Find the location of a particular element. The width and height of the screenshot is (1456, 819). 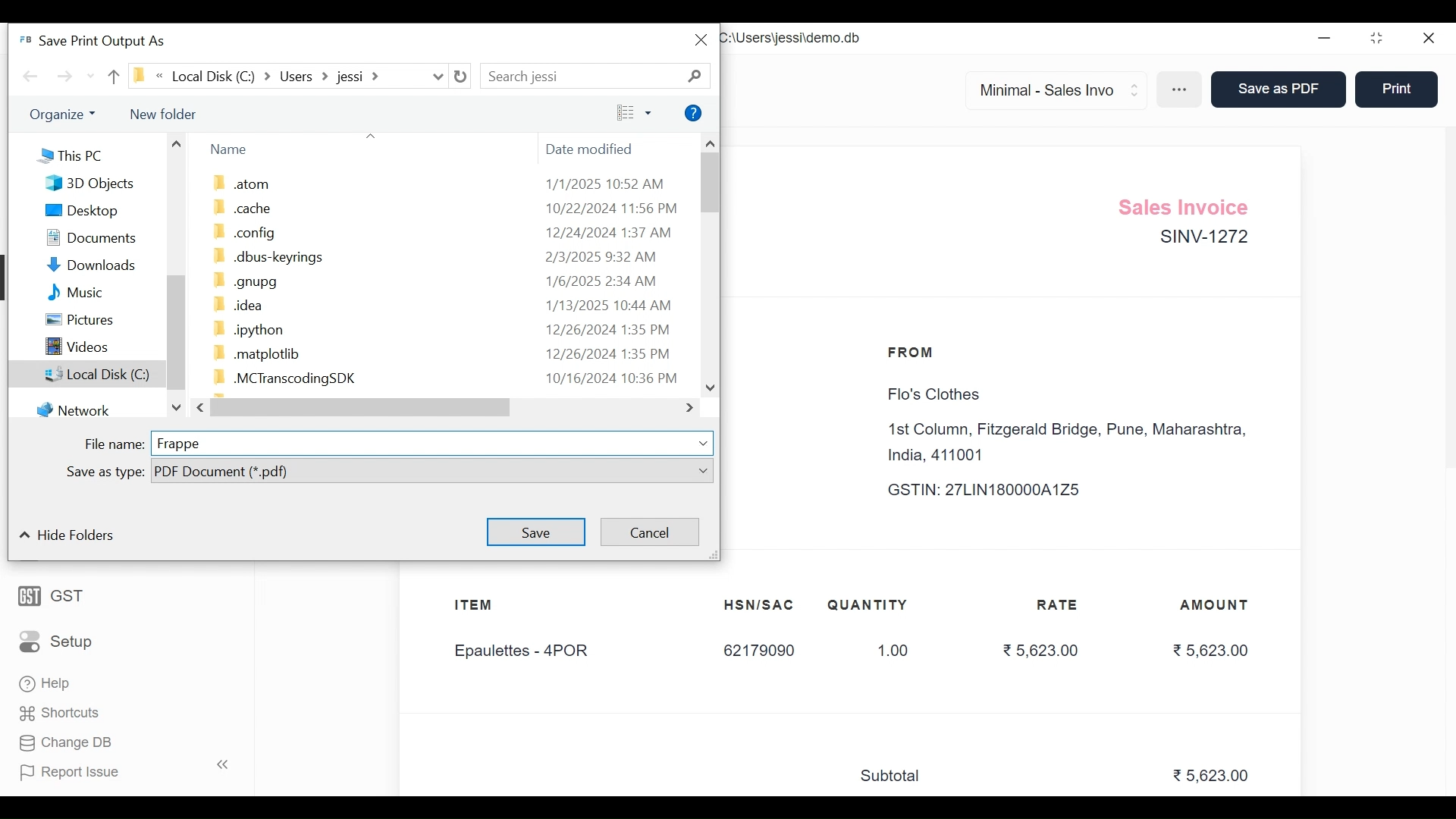

Music is located at coordinates (71, 292).